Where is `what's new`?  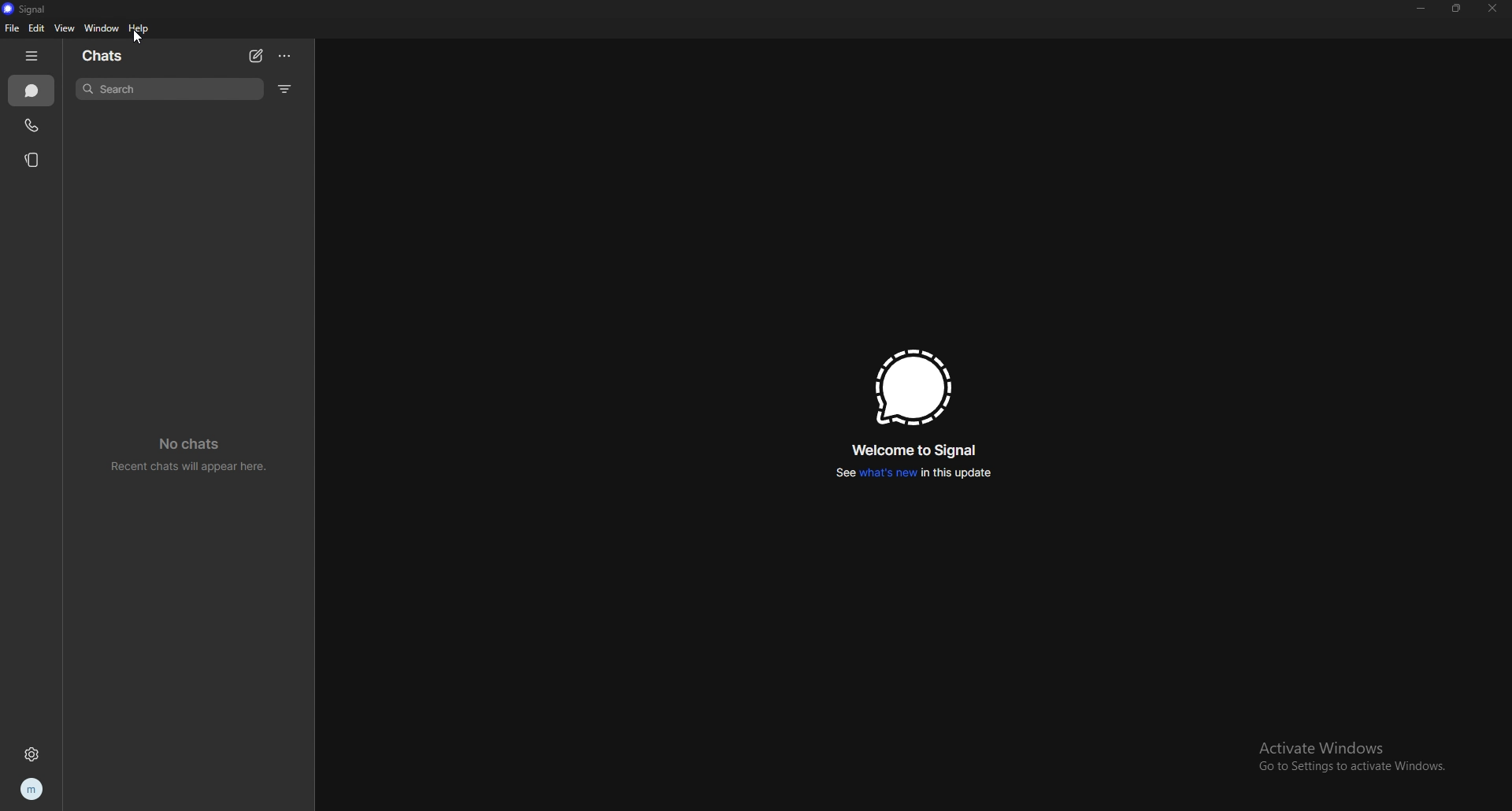
what's new is located at coordinates (888, 473).